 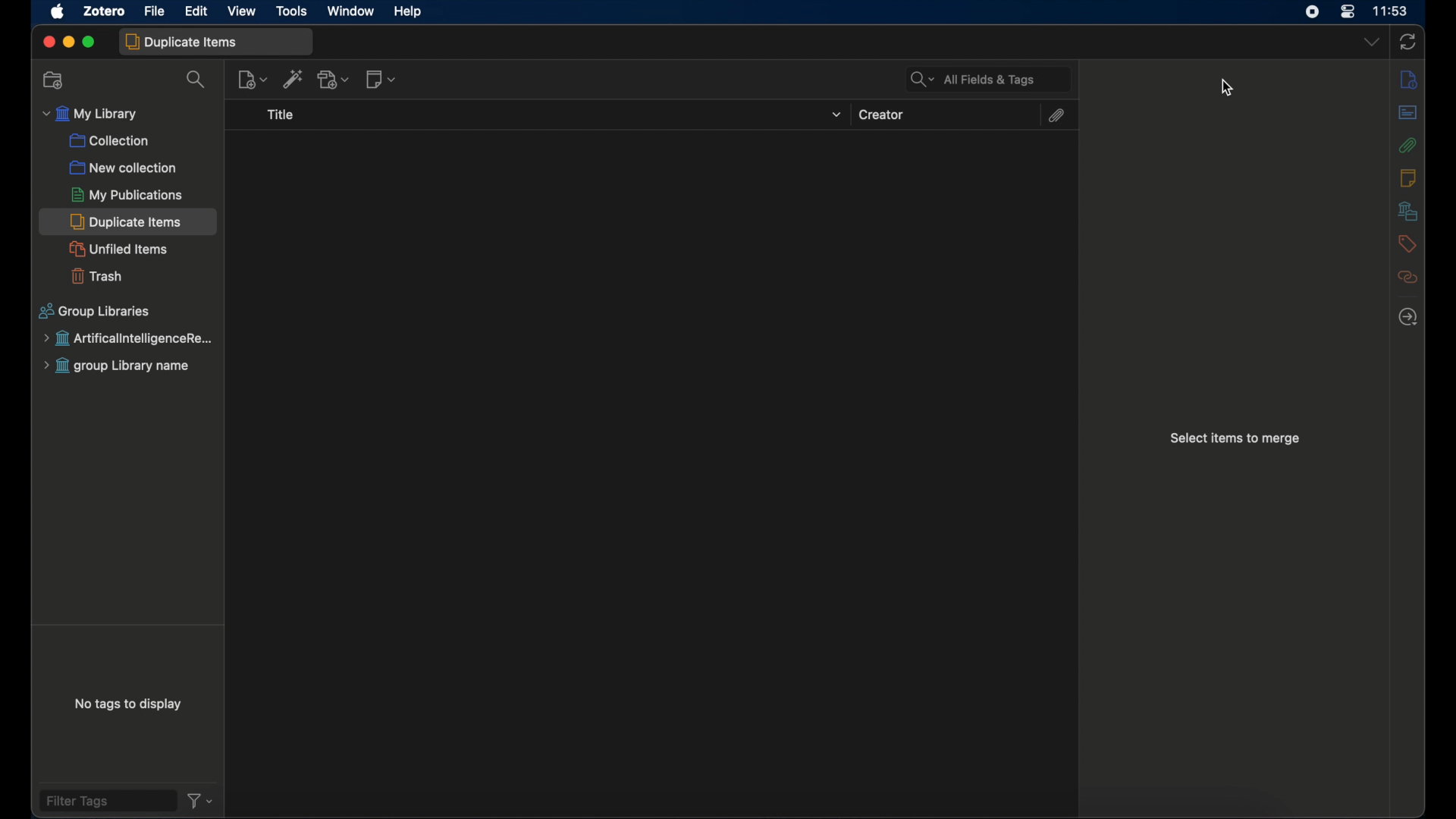 I want to click on All Fields & Tags, so click(x=977, y=79).